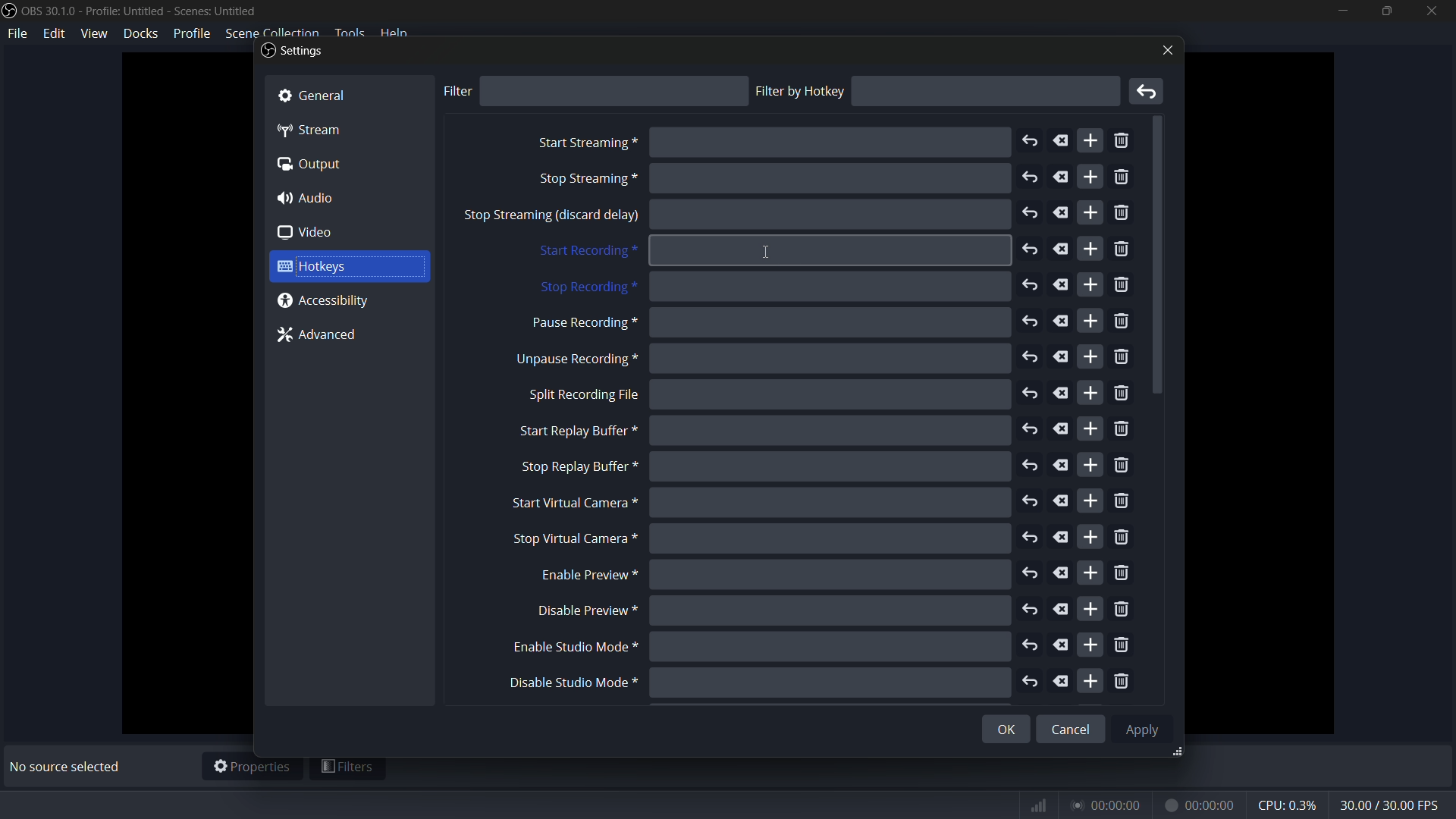 The image size is (1456, 819). I want to click on stop replay buffer, so click(577, 467).